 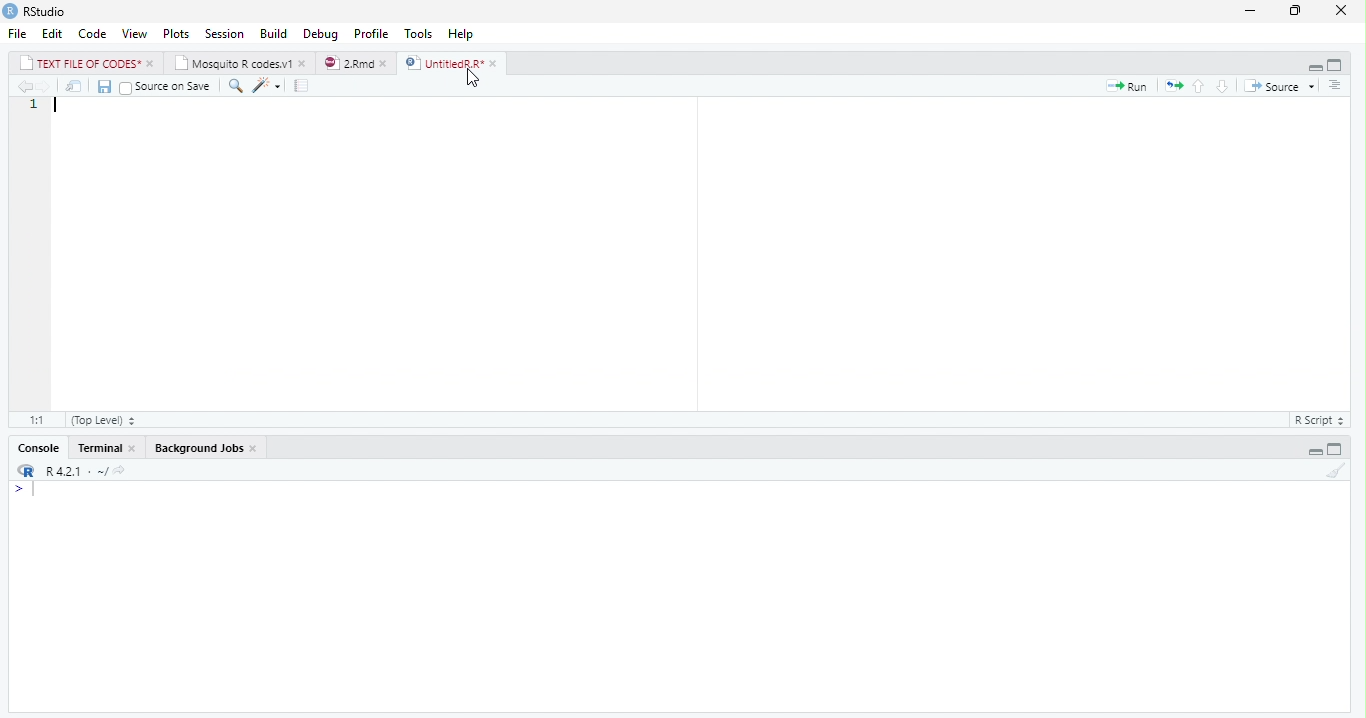 What do you see at coordinates (479, 81) in the screenshot?
I see `cursor` at bounding box center [479, 81].